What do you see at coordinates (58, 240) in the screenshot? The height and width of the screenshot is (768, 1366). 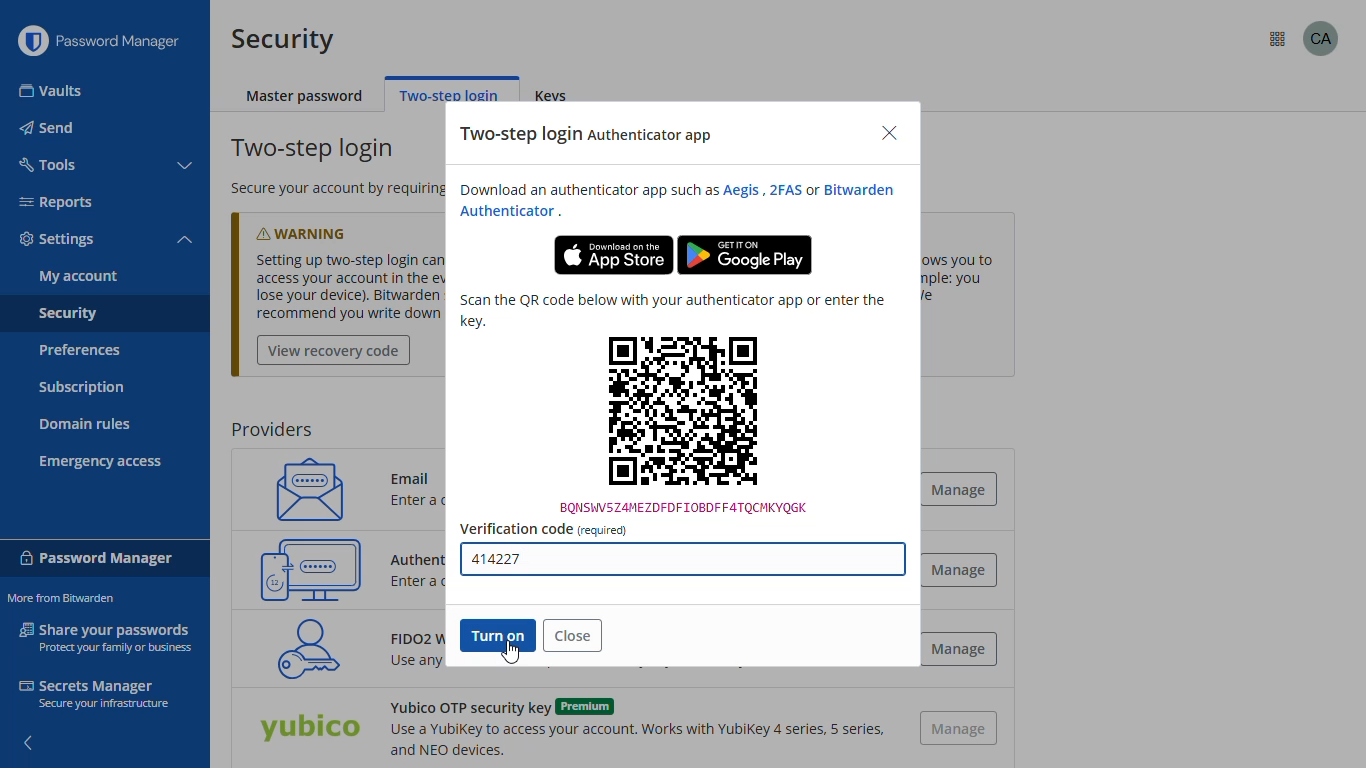 I see `settings` at bounding box center [58, 240].